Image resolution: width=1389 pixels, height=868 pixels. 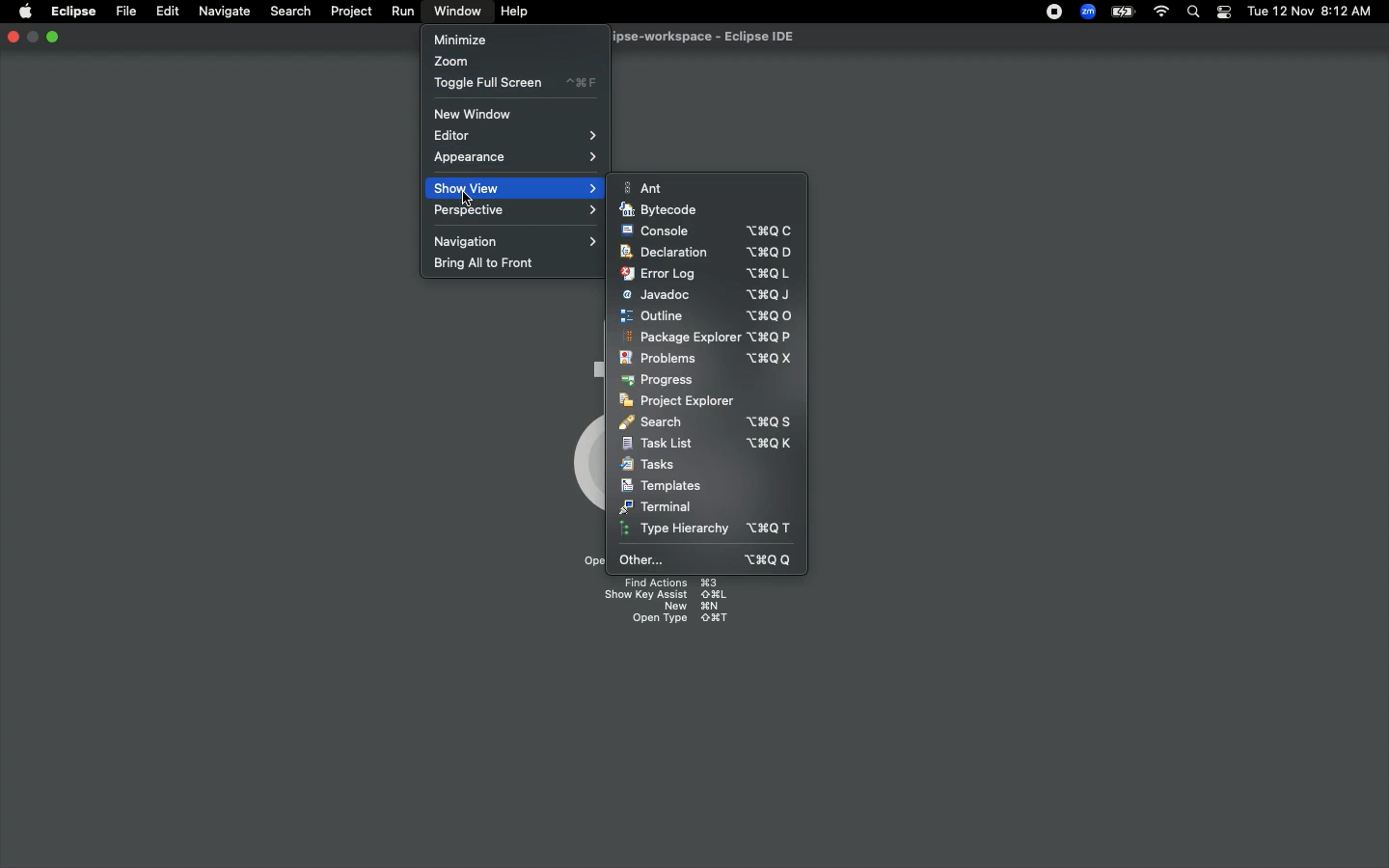 I want to click on Declaration, so click(x=710, y=253).